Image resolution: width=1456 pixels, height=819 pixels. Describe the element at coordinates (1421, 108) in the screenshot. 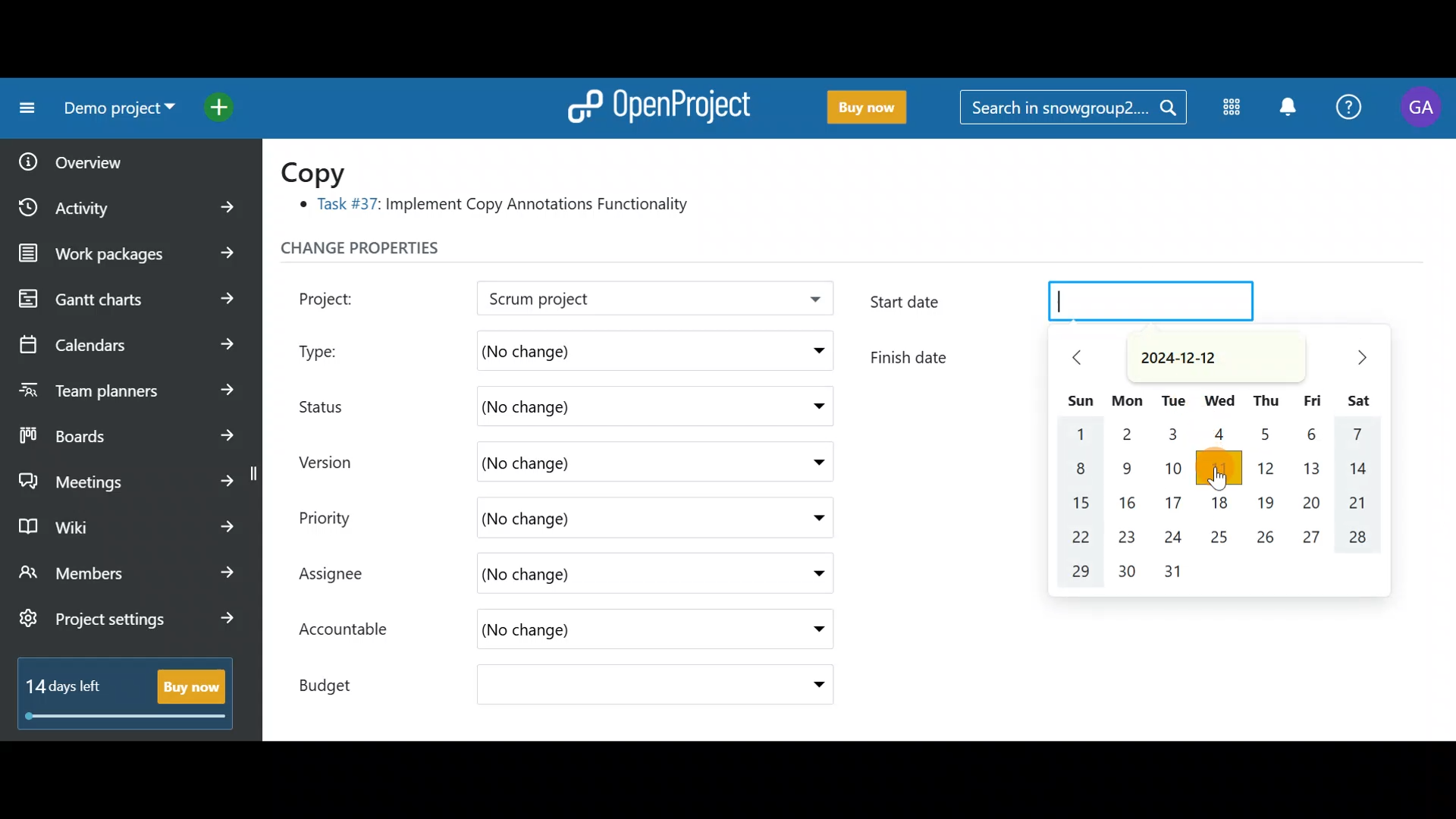

I see `Account name` at that location.